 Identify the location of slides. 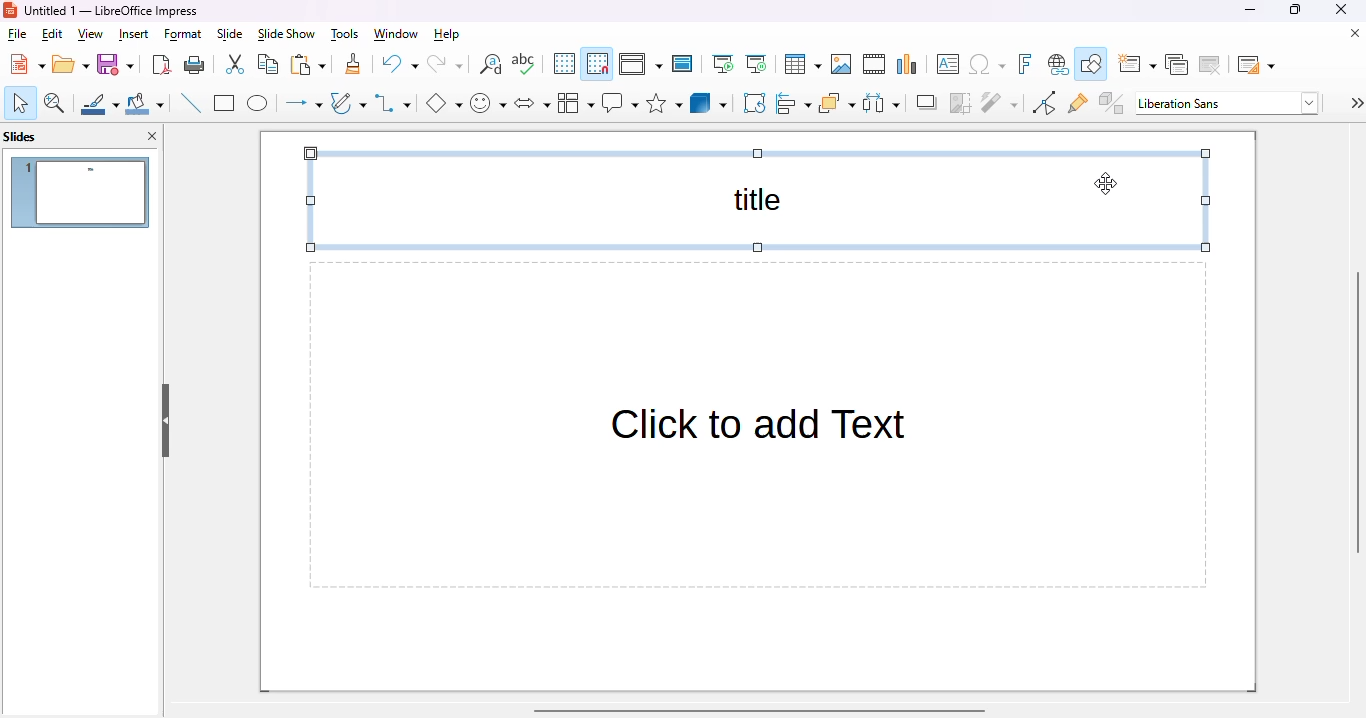
(21, 137).